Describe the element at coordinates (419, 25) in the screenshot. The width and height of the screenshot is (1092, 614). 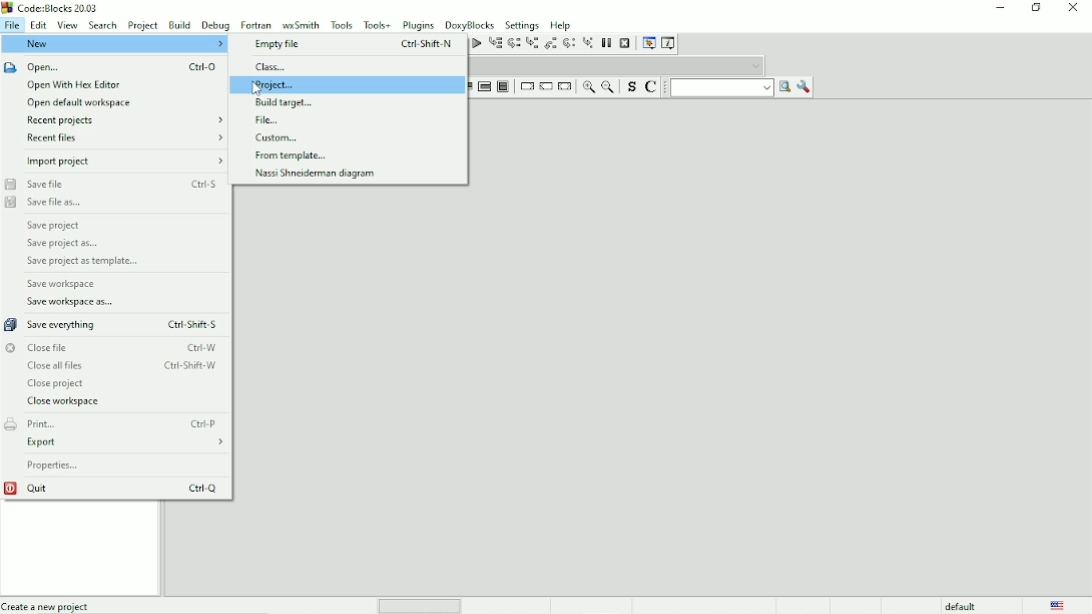
I see `Plugins` at that location.